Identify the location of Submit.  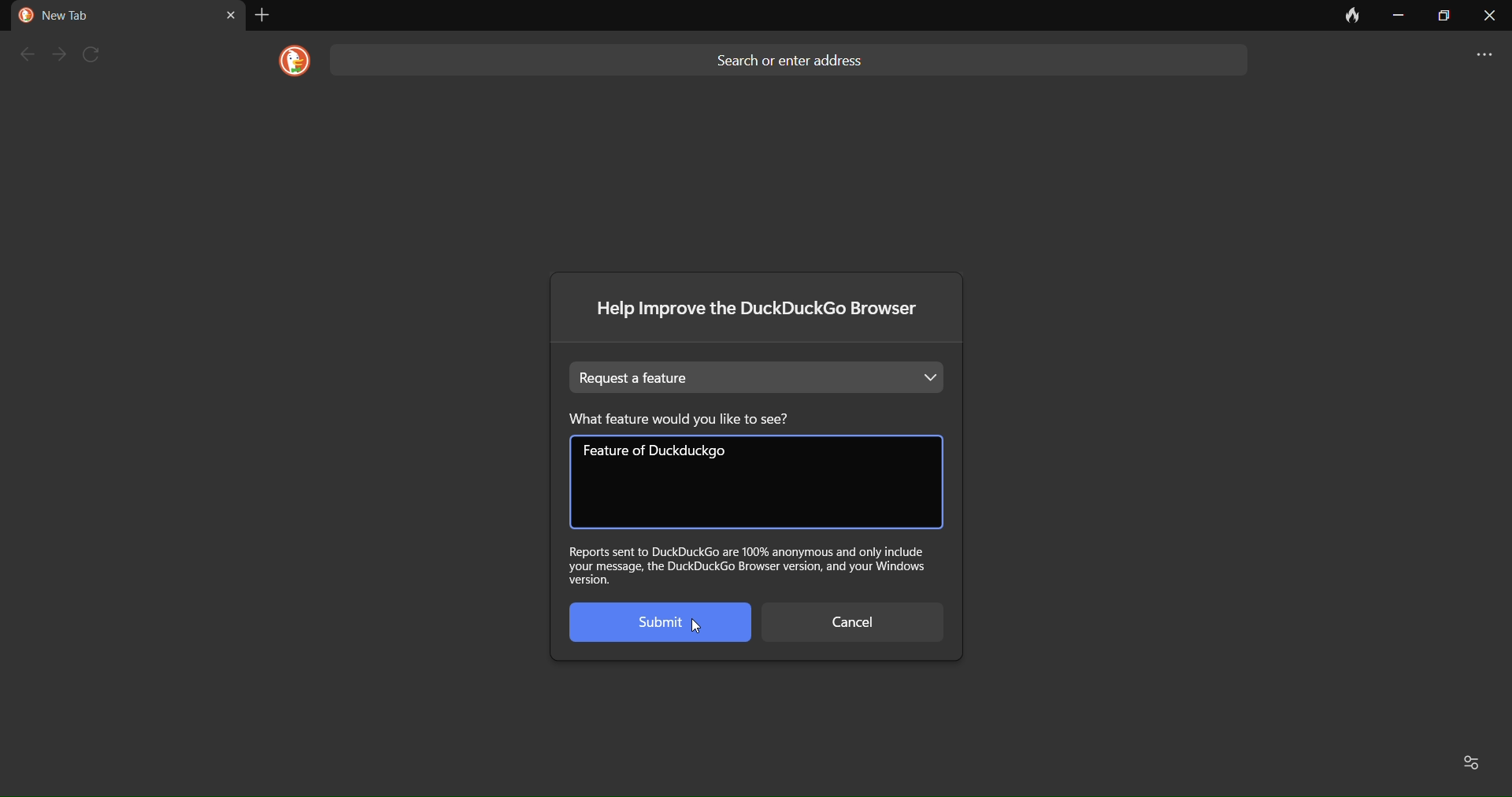
(661, 621).